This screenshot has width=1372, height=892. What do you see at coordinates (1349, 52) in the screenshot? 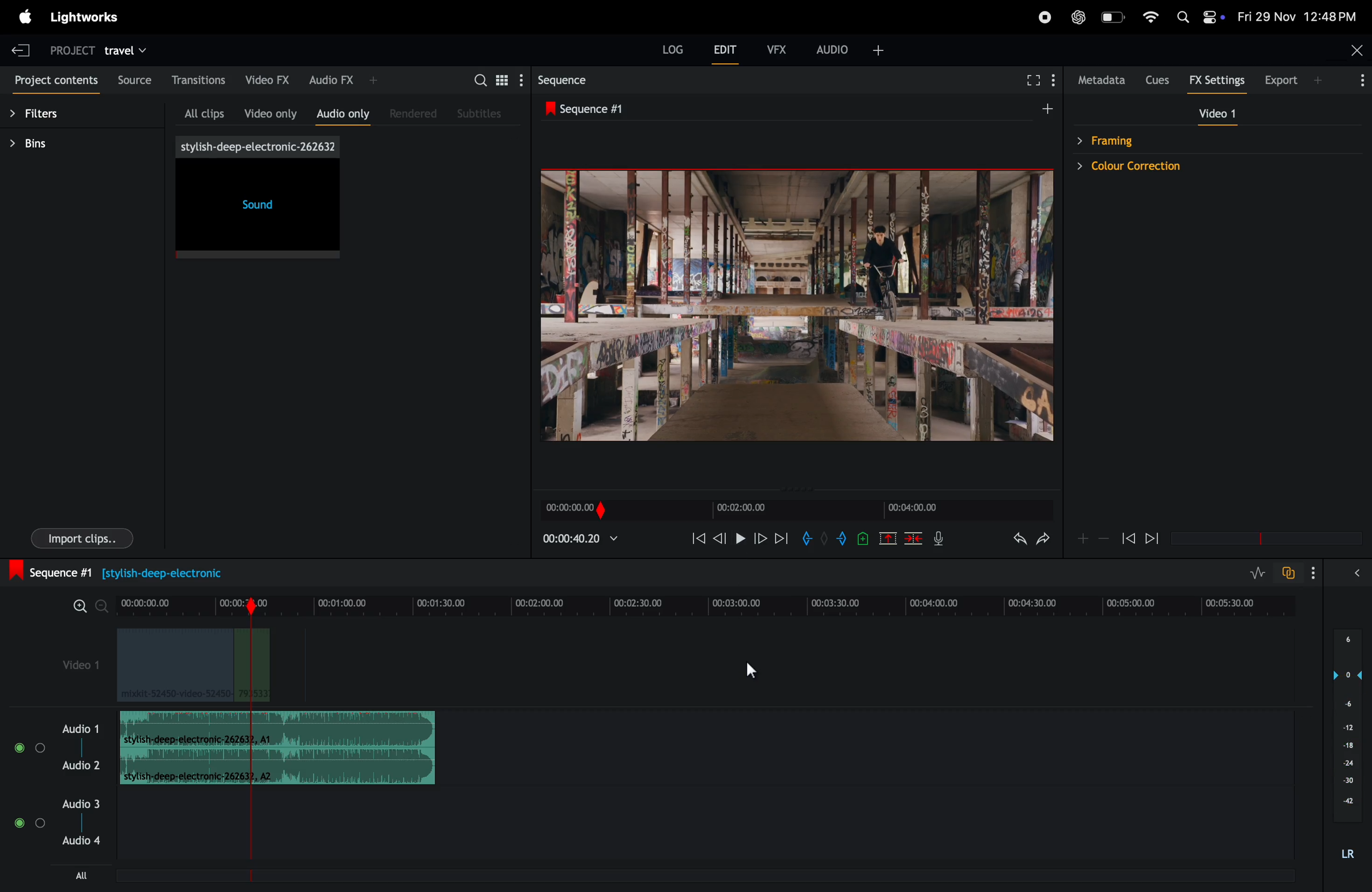
I see `close` at bounding box center [1349, 52].